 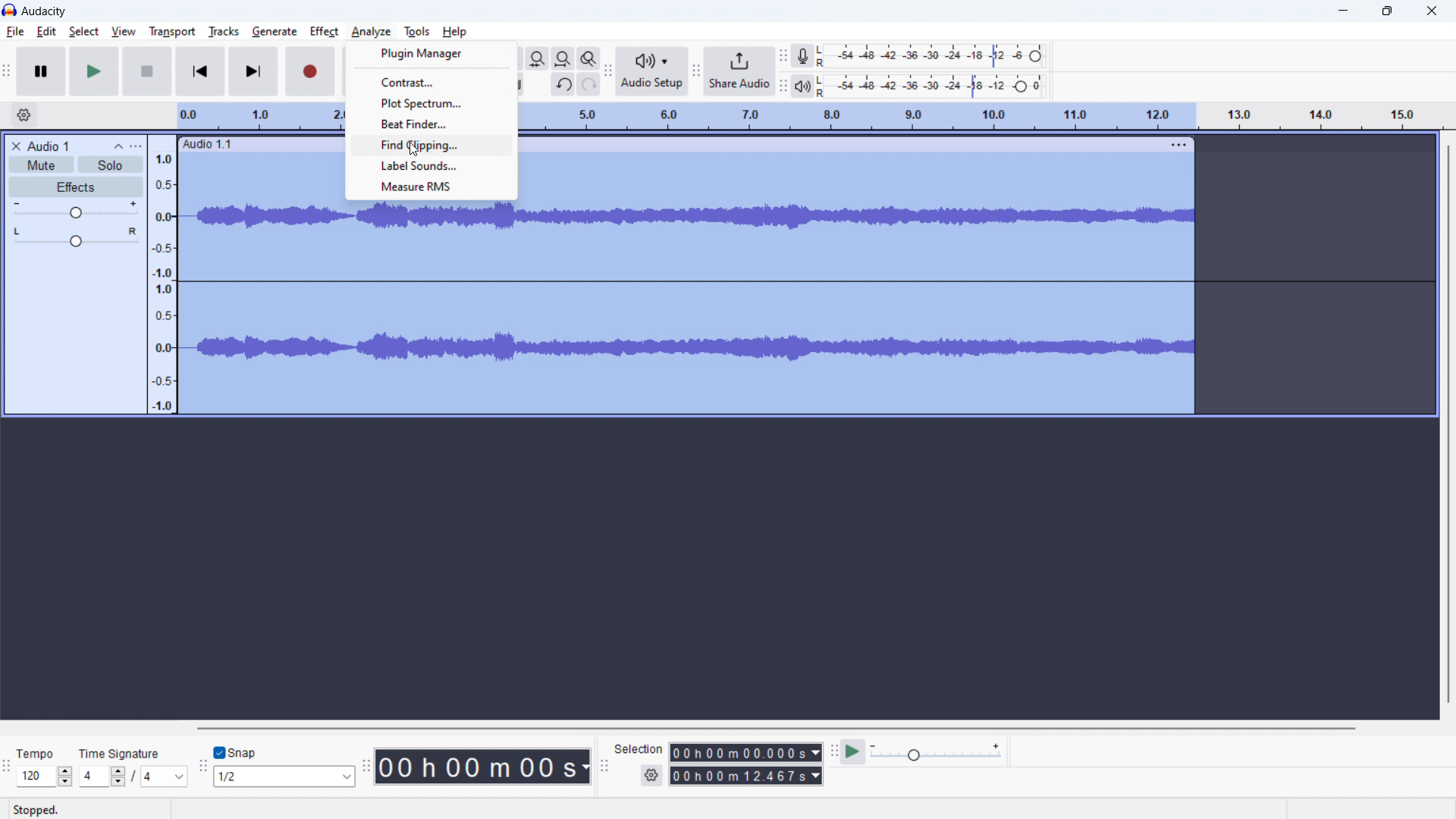 I want to click on delete recording, so click(x=17, y=146).